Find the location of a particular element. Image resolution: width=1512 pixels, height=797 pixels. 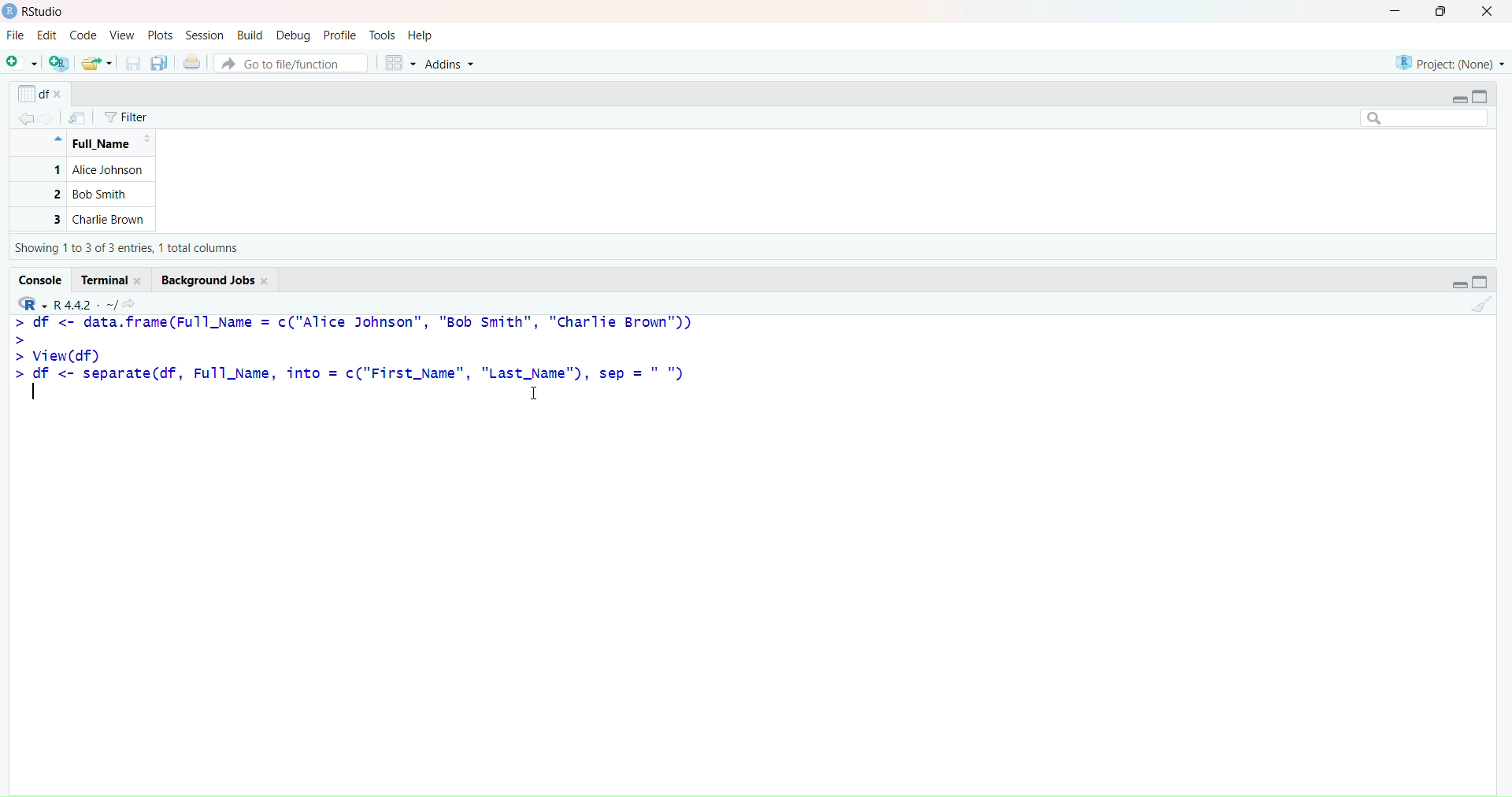

Debug is located at coordinates (293, 35).